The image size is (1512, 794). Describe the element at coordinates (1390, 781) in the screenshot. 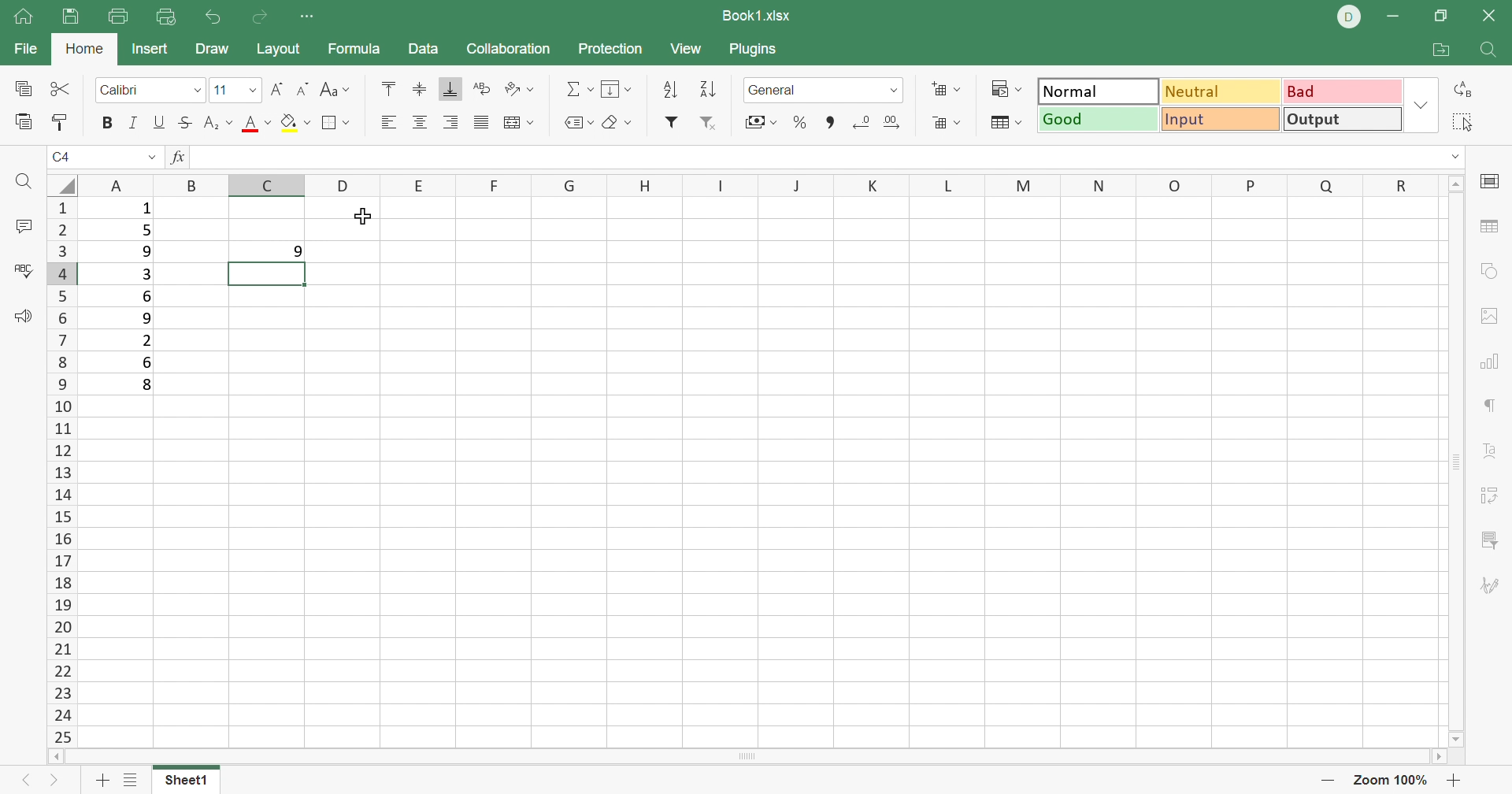

I see `Zoom 100%` at that location.